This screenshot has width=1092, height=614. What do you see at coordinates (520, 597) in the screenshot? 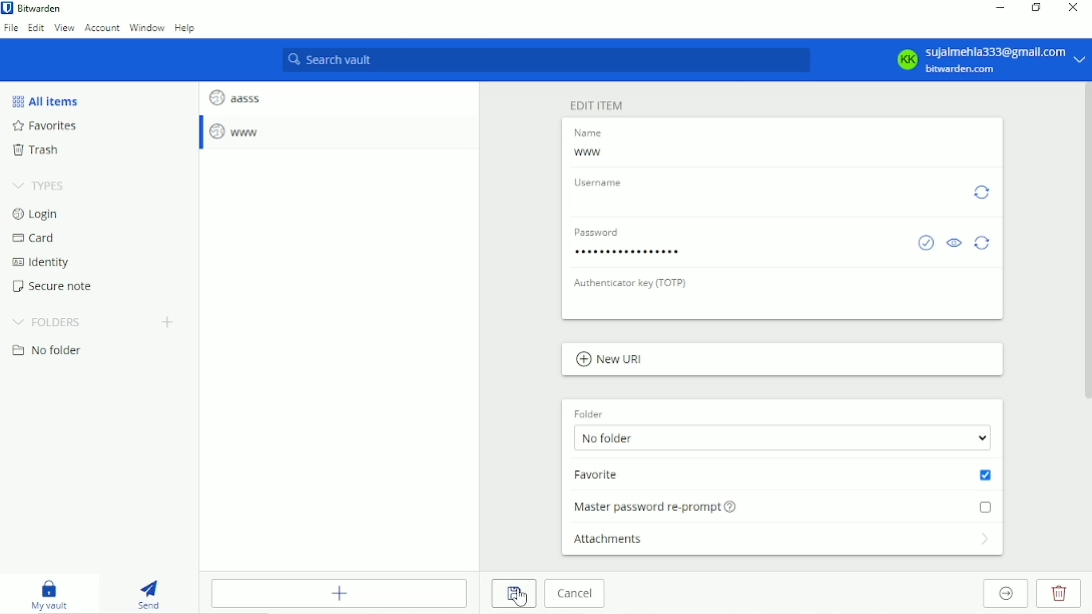
I see `Cursor` at bounding box center [520, 597].